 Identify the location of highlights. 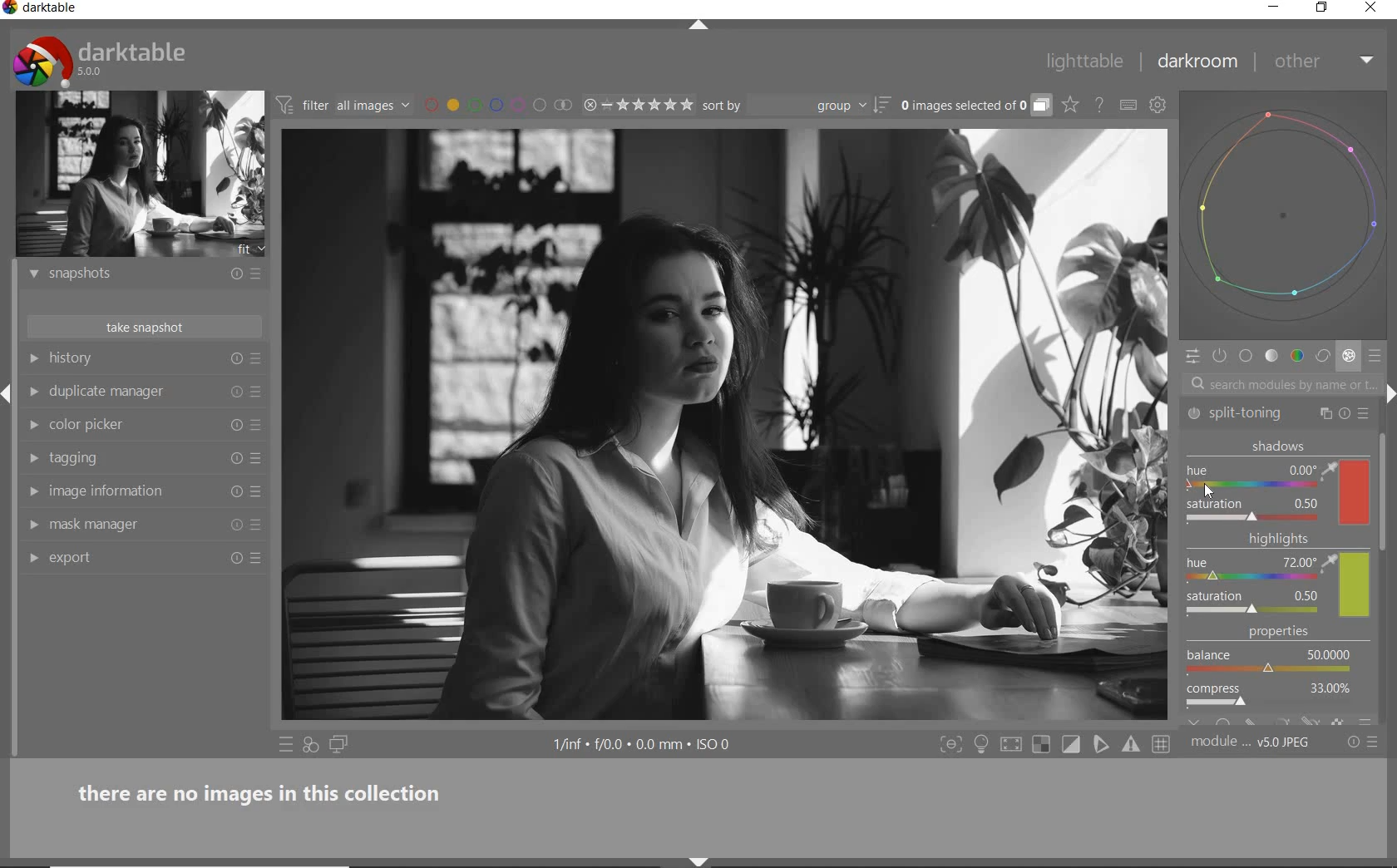
(1276, 576).